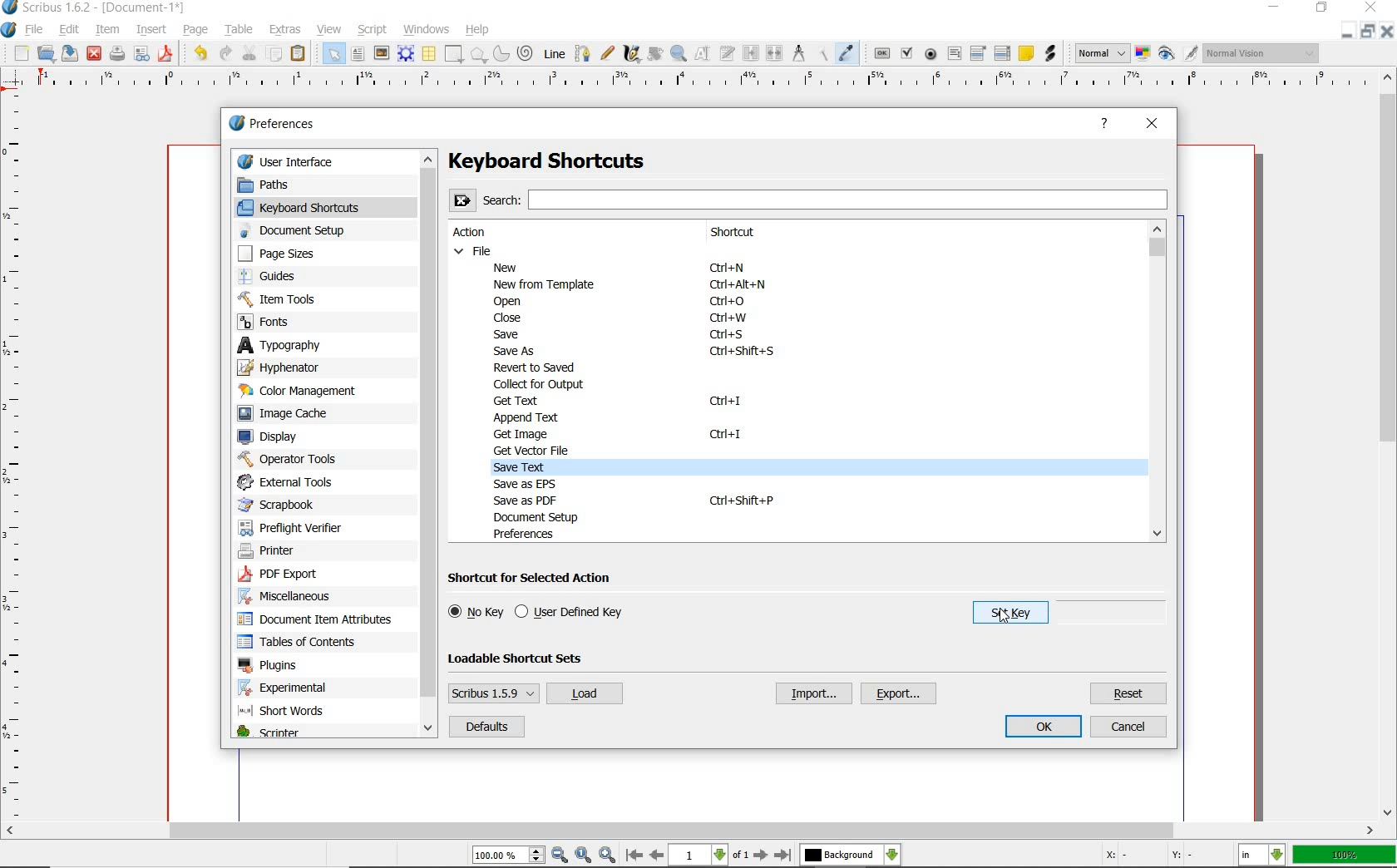 This screenshot has height=868, width=1397. What do you see at coordinates (326, 160) in the screenshot?
I see `user interface` at bounding box center [326, 160].